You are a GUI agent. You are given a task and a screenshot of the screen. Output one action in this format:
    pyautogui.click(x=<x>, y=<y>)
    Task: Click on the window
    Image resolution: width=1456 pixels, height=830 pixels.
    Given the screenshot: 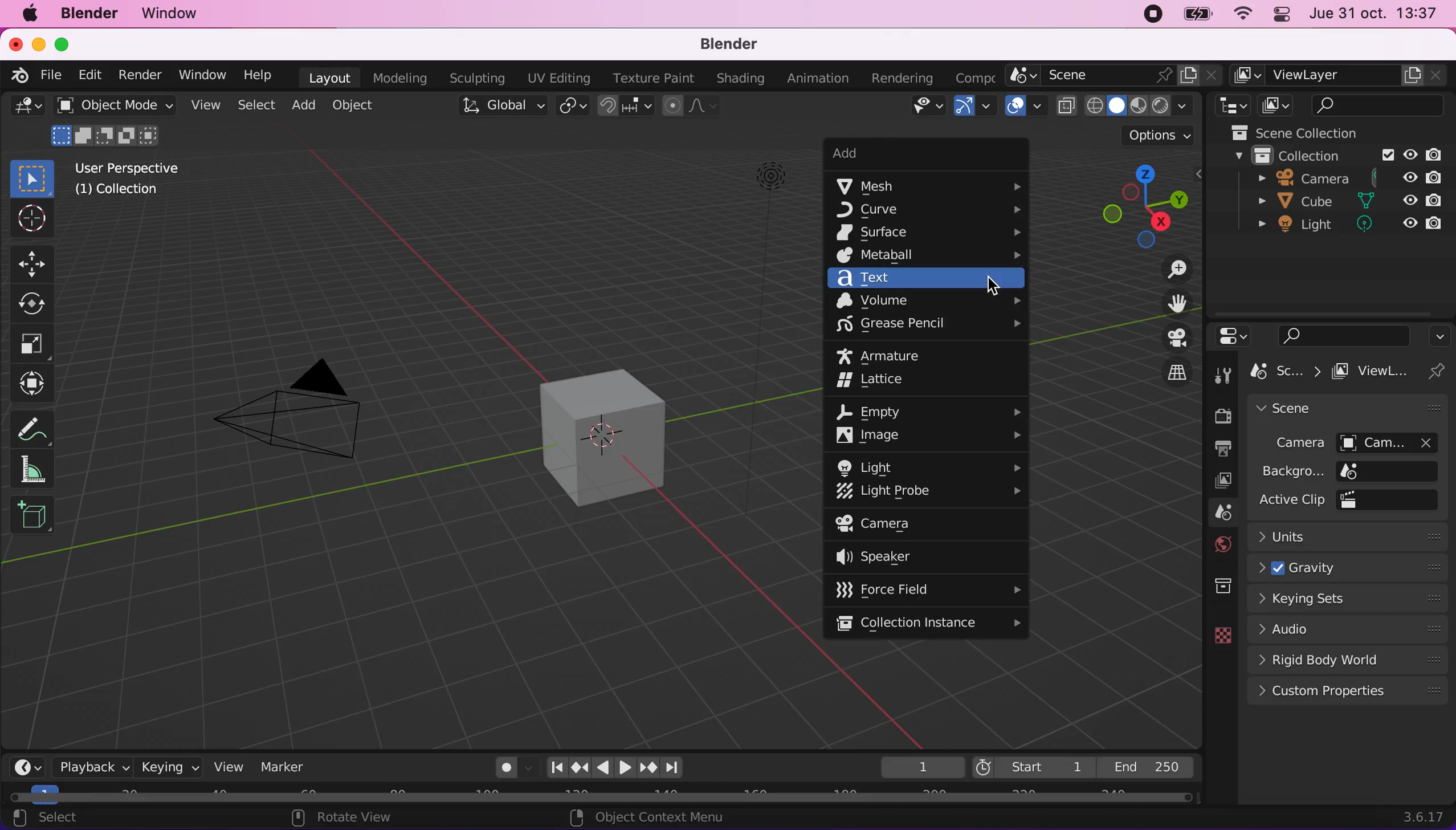 What is the action you would take?
    pyautogui.click(x=174, y=13)
    